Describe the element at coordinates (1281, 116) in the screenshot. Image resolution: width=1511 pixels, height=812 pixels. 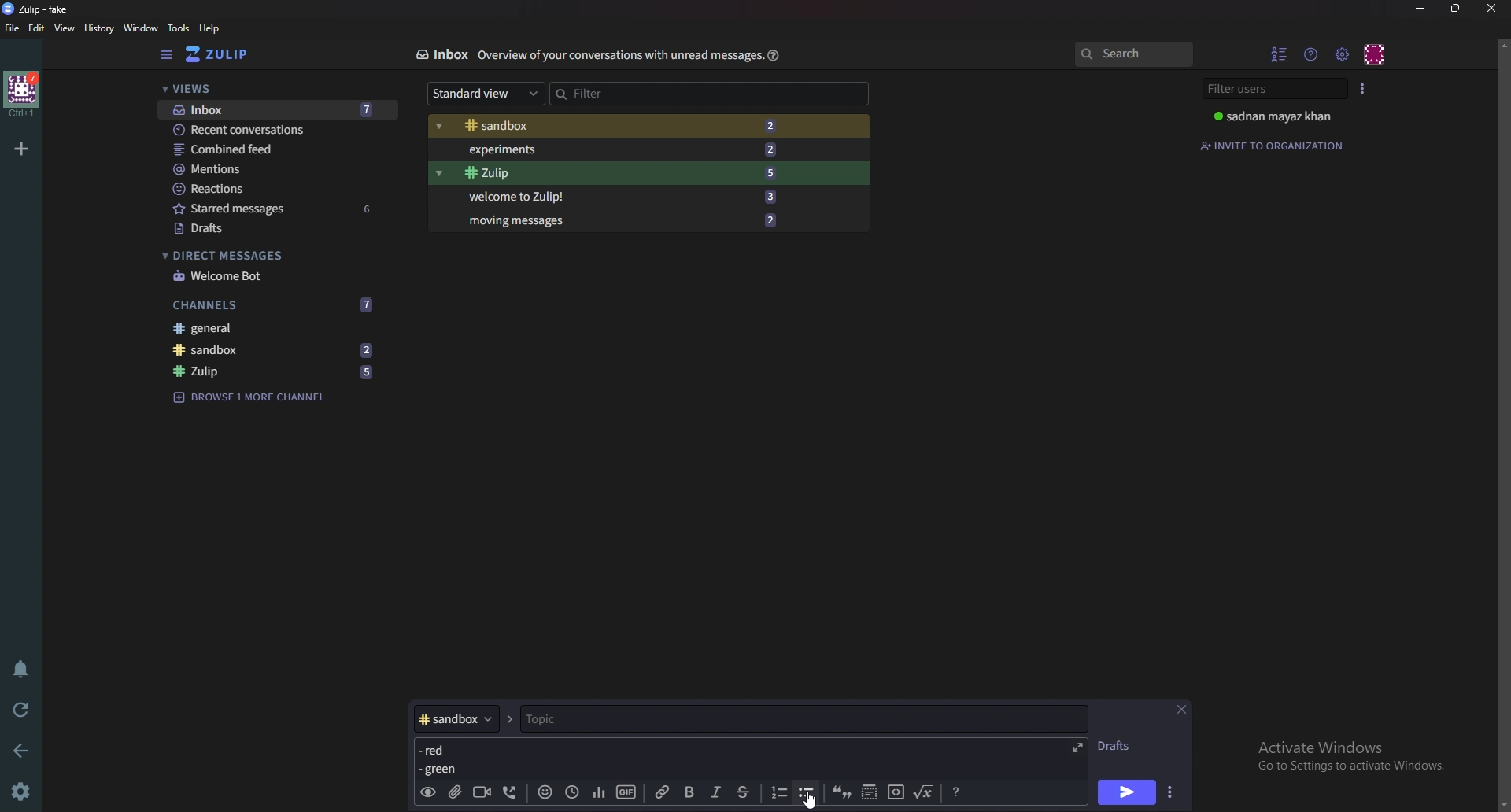
I see `User` at that location.